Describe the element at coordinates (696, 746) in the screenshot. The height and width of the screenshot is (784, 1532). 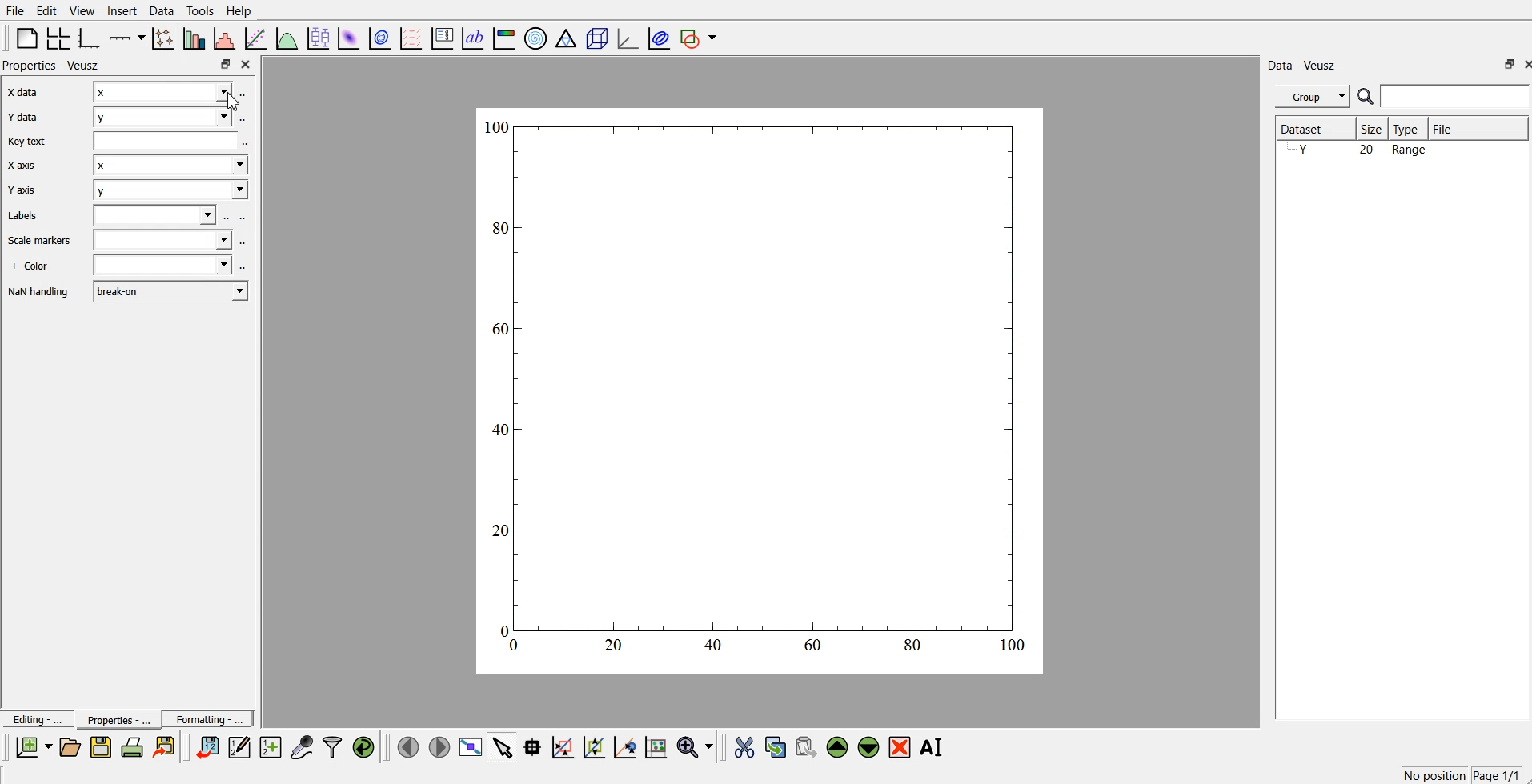
I see `Zoom function menu` at that location.